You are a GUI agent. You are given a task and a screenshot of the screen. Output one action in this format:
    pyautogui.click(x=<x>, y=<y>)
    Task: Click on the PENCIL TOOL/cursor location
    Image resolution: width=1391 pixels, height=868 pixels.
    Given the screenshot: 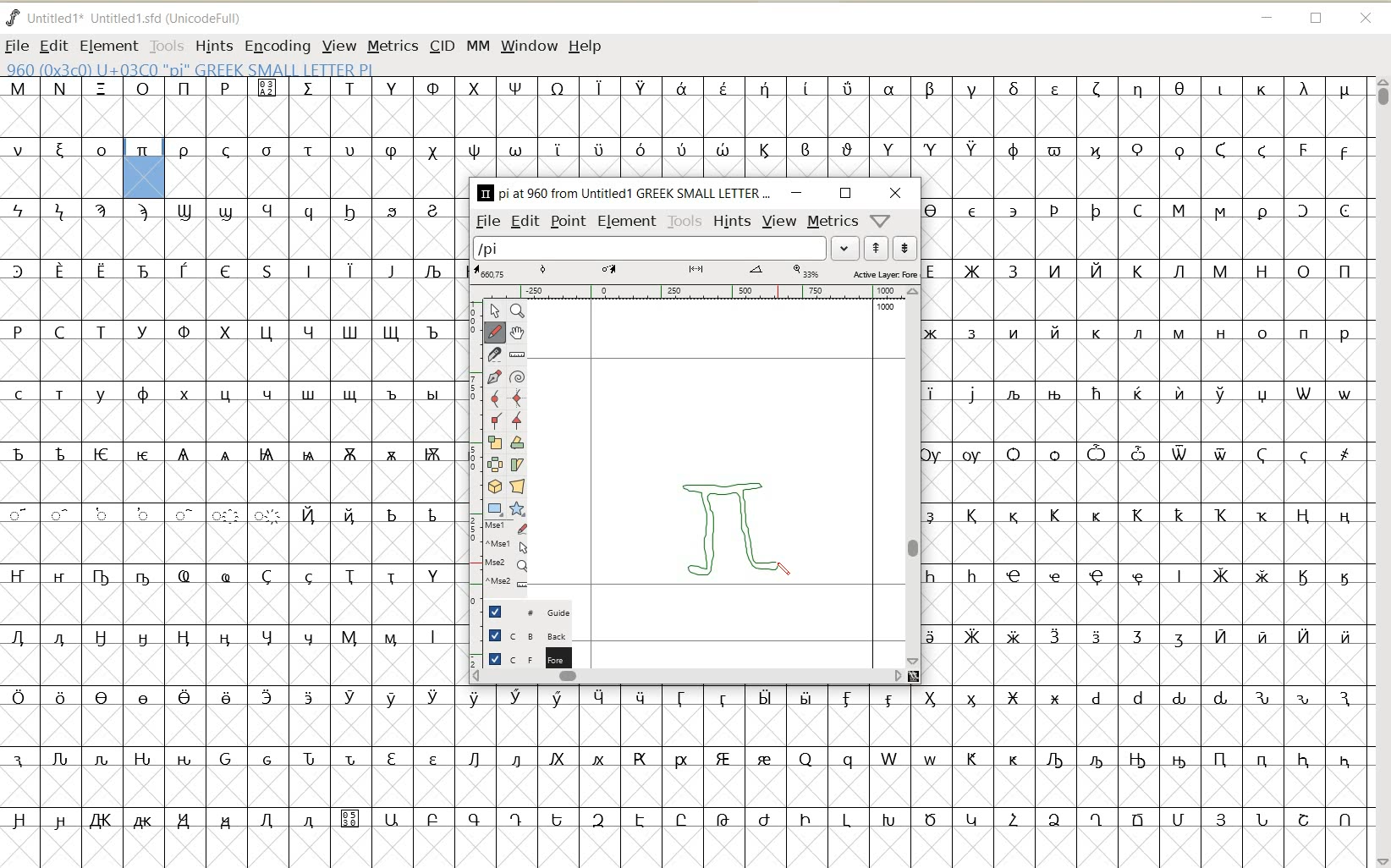 What is the action you would take?
    pyautogui.click(x=783, y=569)
    